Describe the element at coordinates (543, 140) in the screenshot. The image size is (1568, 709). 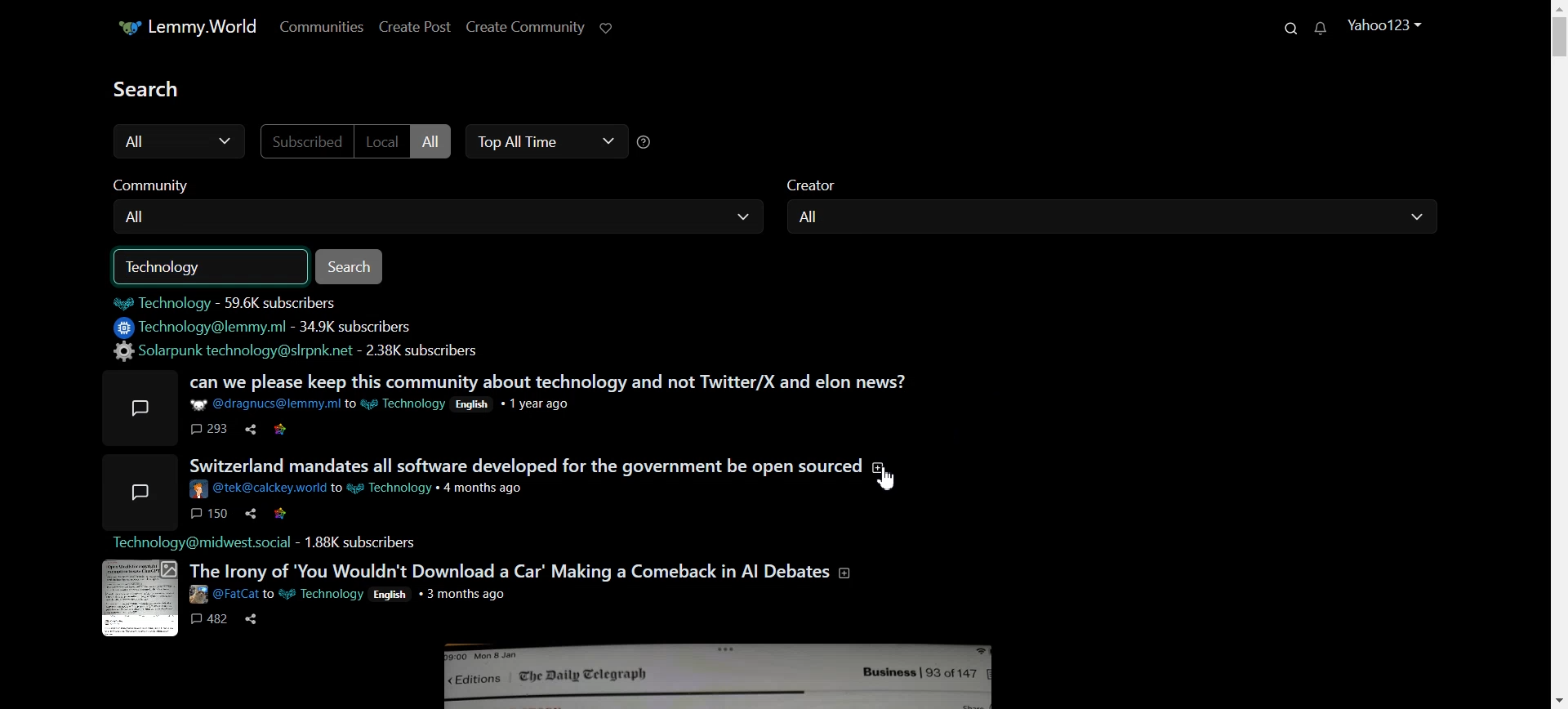
I see `Top All Time` at that location.